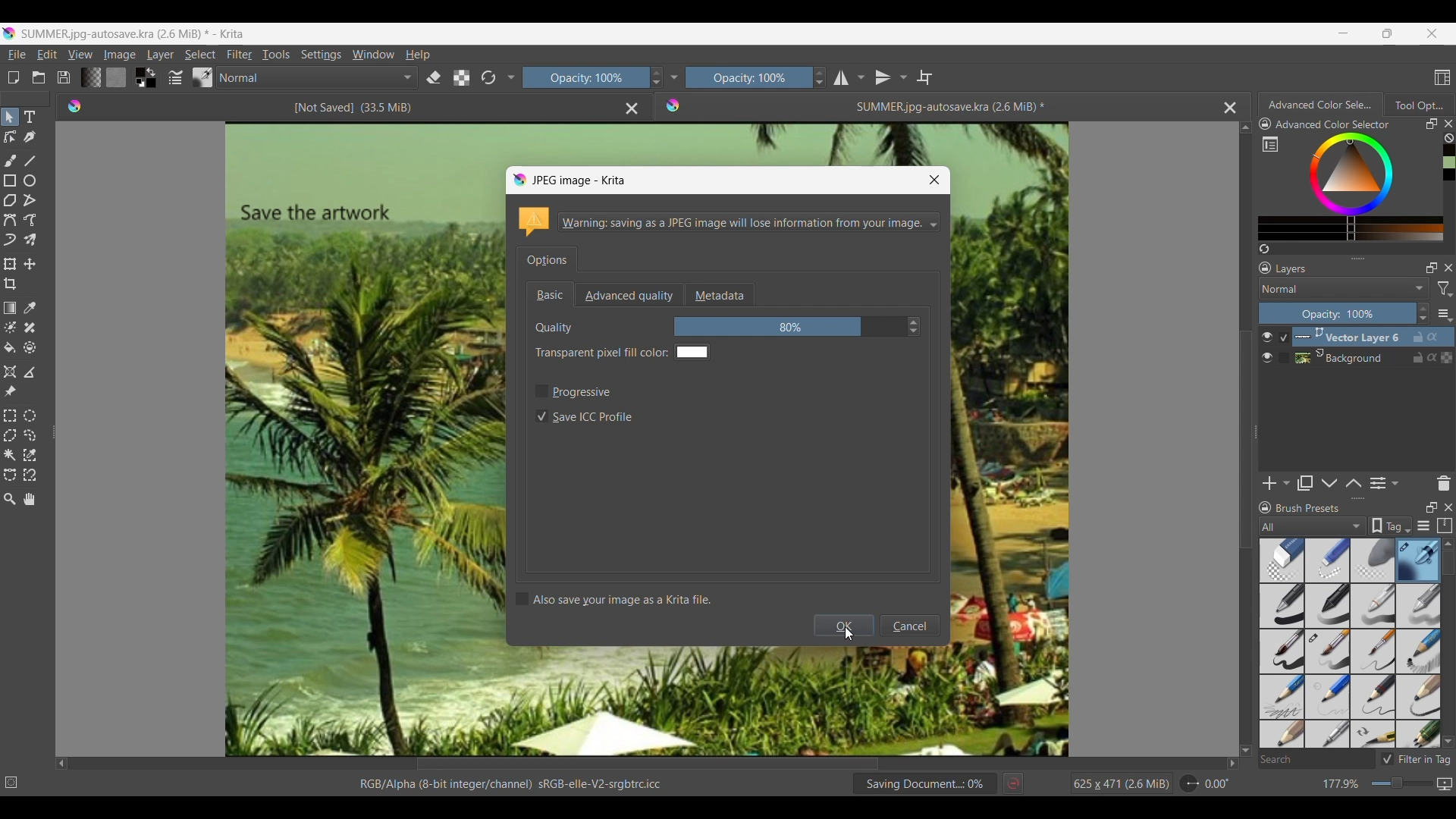  What do you see at coordinates (1254, 453) in the screenshot?
I see `Change width of panels attached to this line` at bounding box center [1254, 453].